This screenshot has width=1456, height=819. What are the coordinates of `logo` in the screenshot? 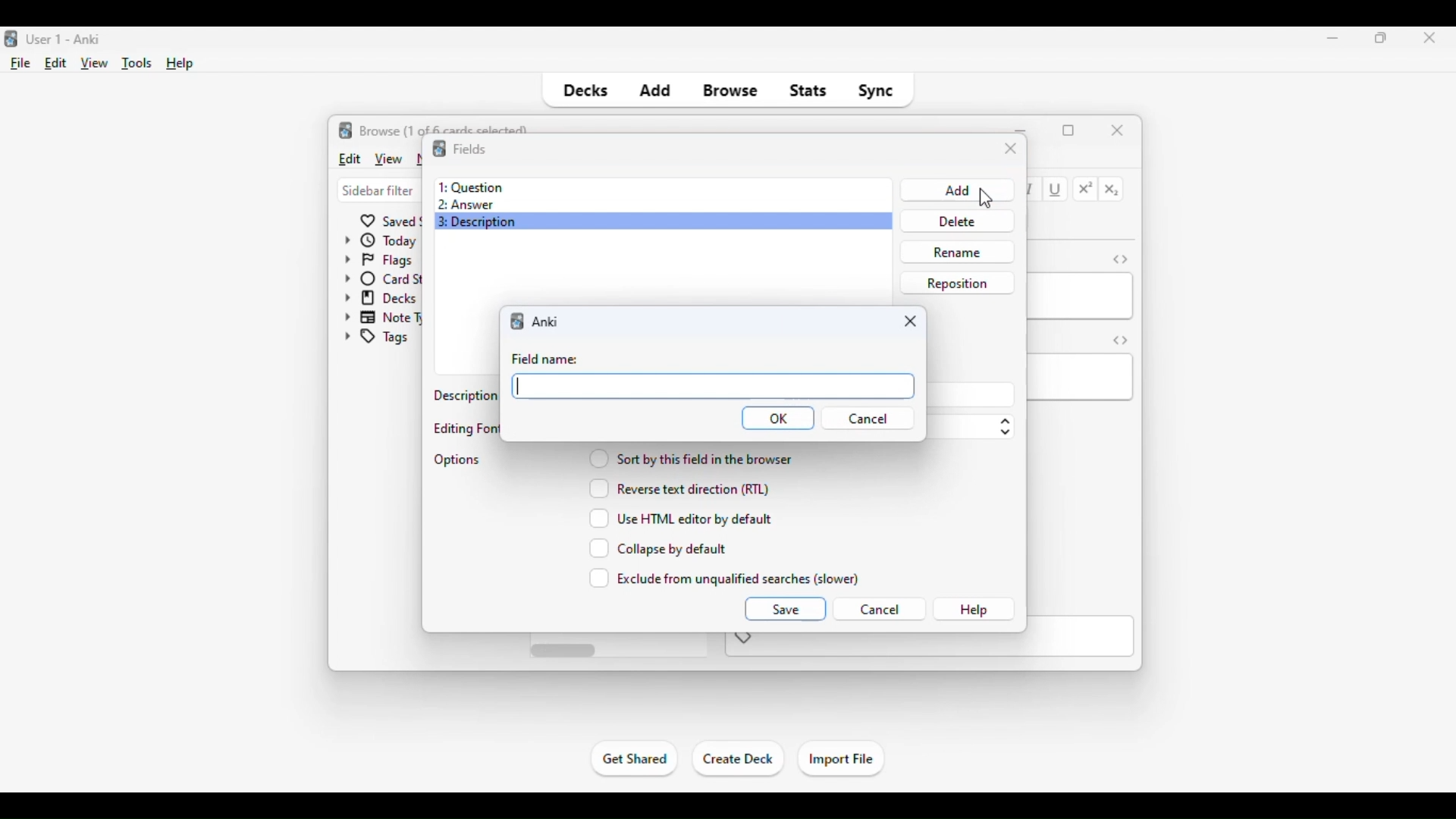 It's located at (519, 320).